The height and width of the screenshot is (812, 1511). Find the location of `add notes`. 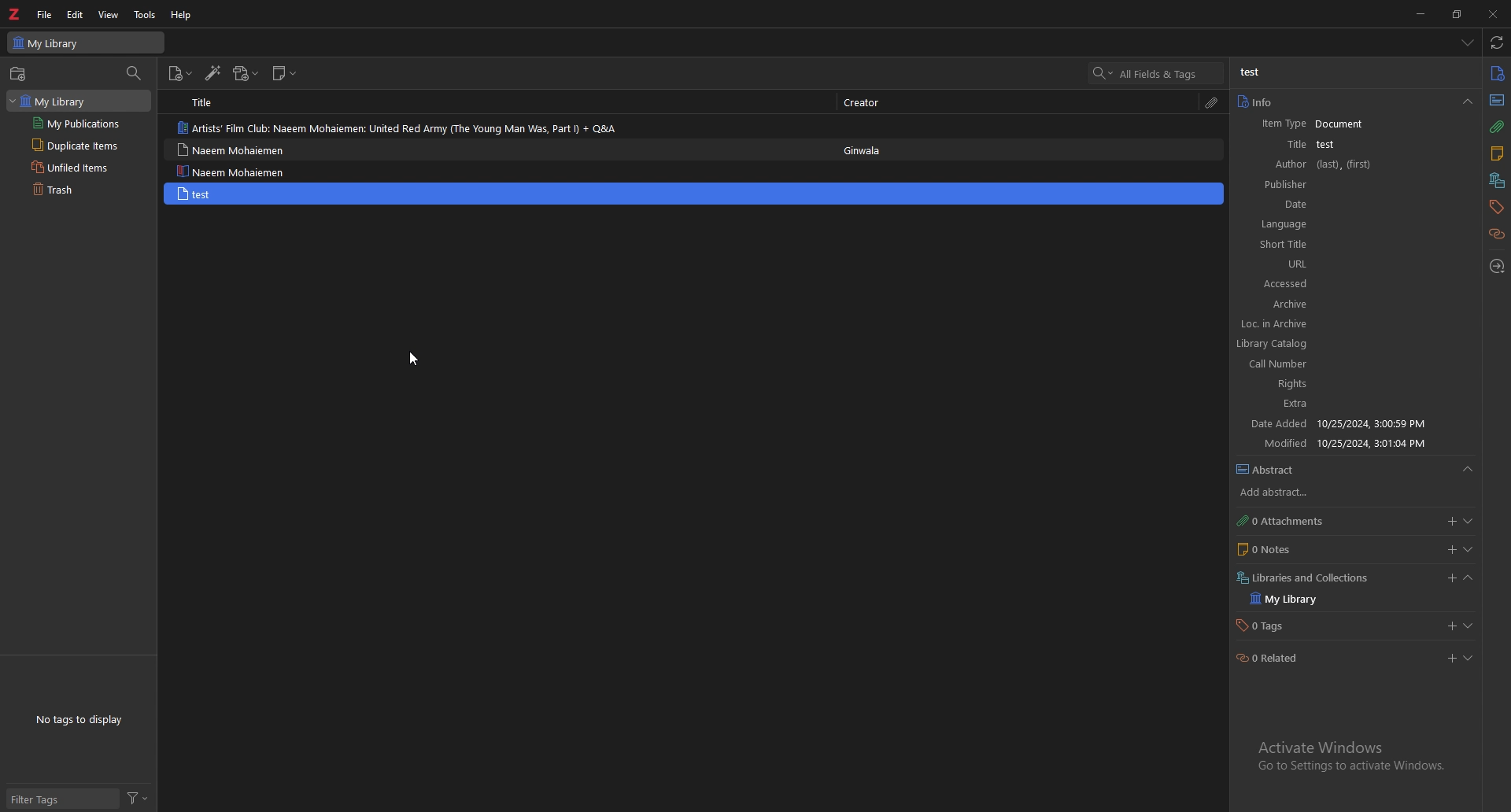

add notes is located at coordinates (1450, 549).